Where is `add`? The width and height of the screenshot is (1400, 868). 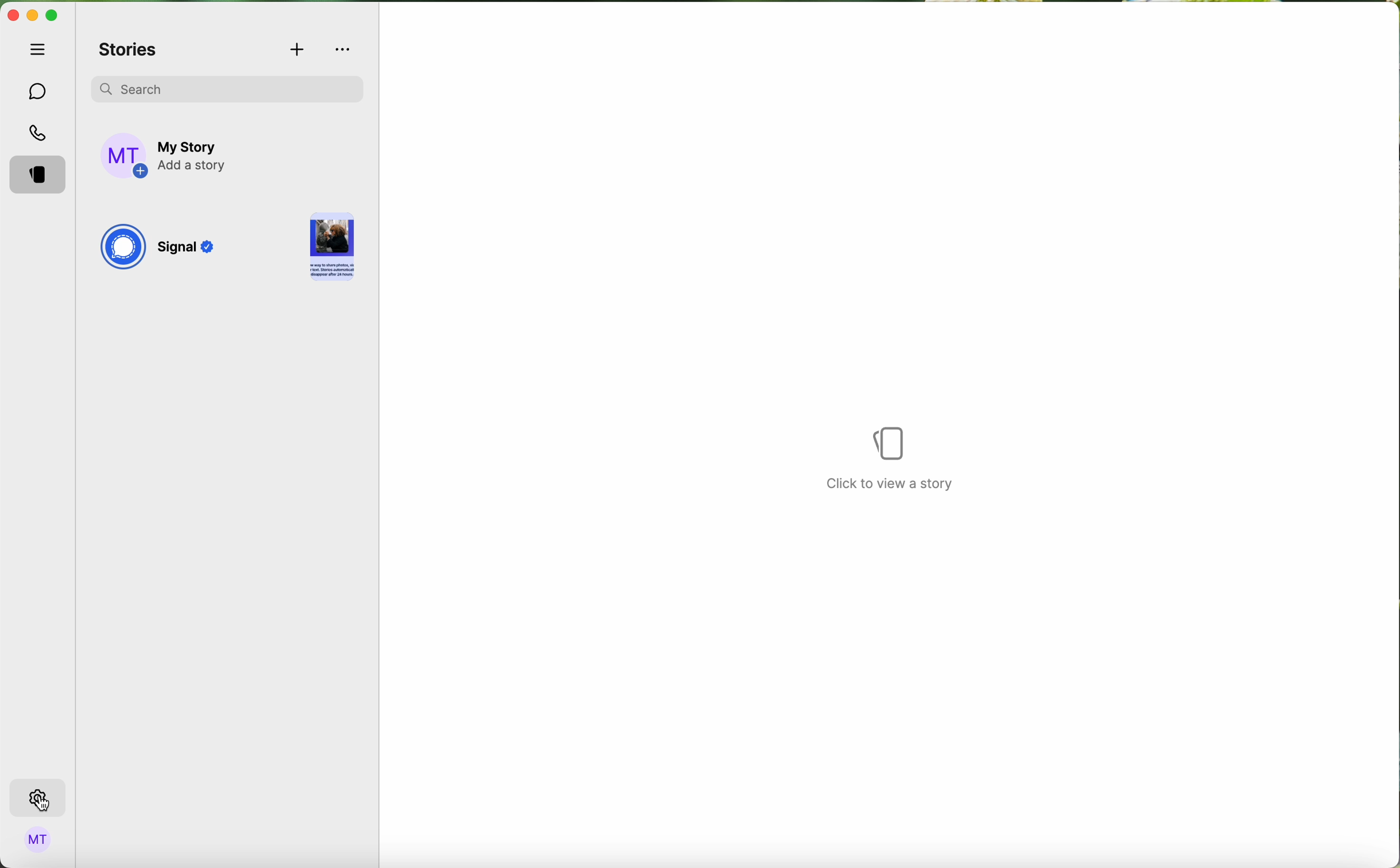
add is located at coordinates (298, 51).